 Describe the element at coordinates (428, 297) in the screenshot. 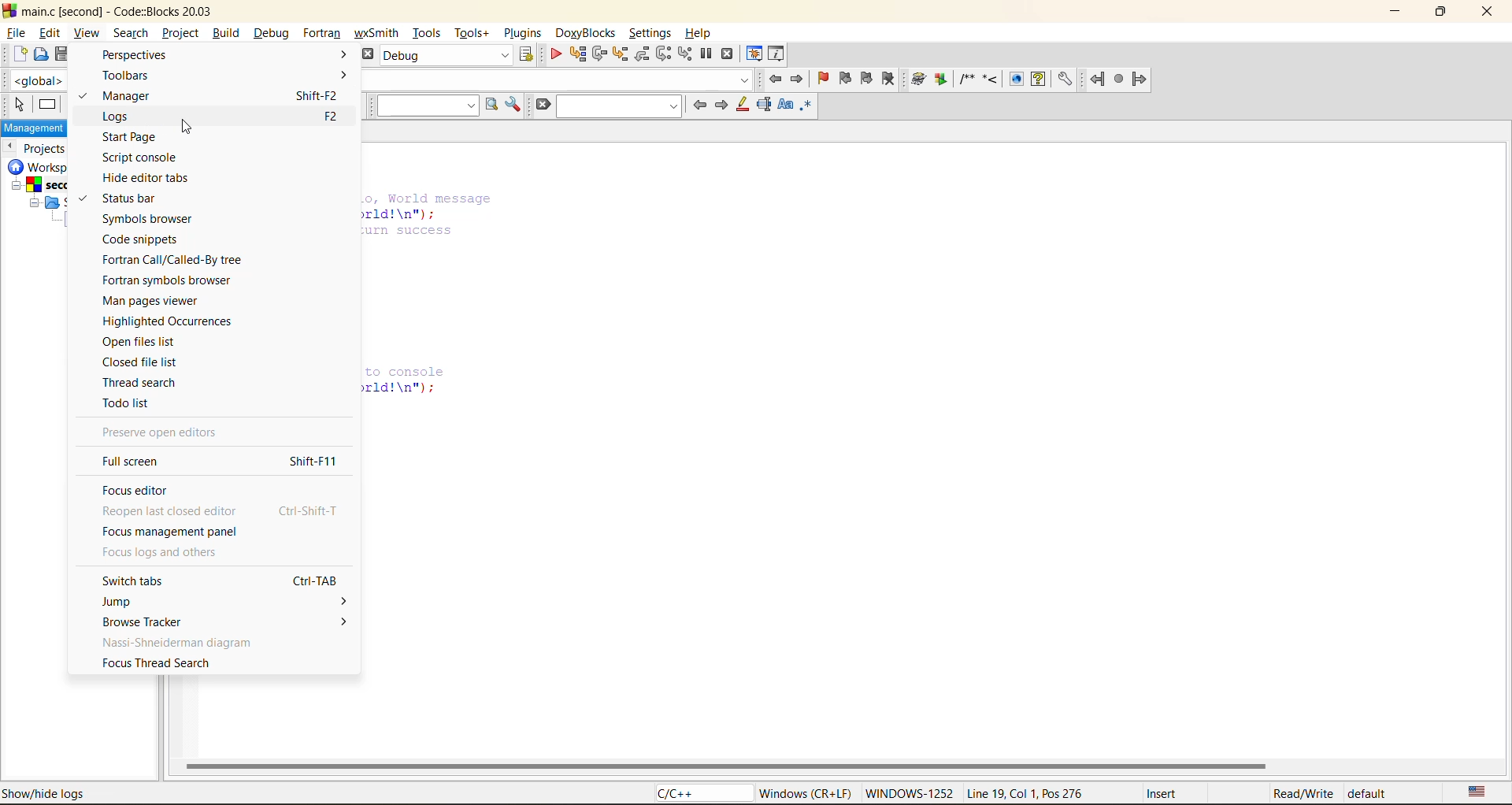

I see `code editor` at that location.